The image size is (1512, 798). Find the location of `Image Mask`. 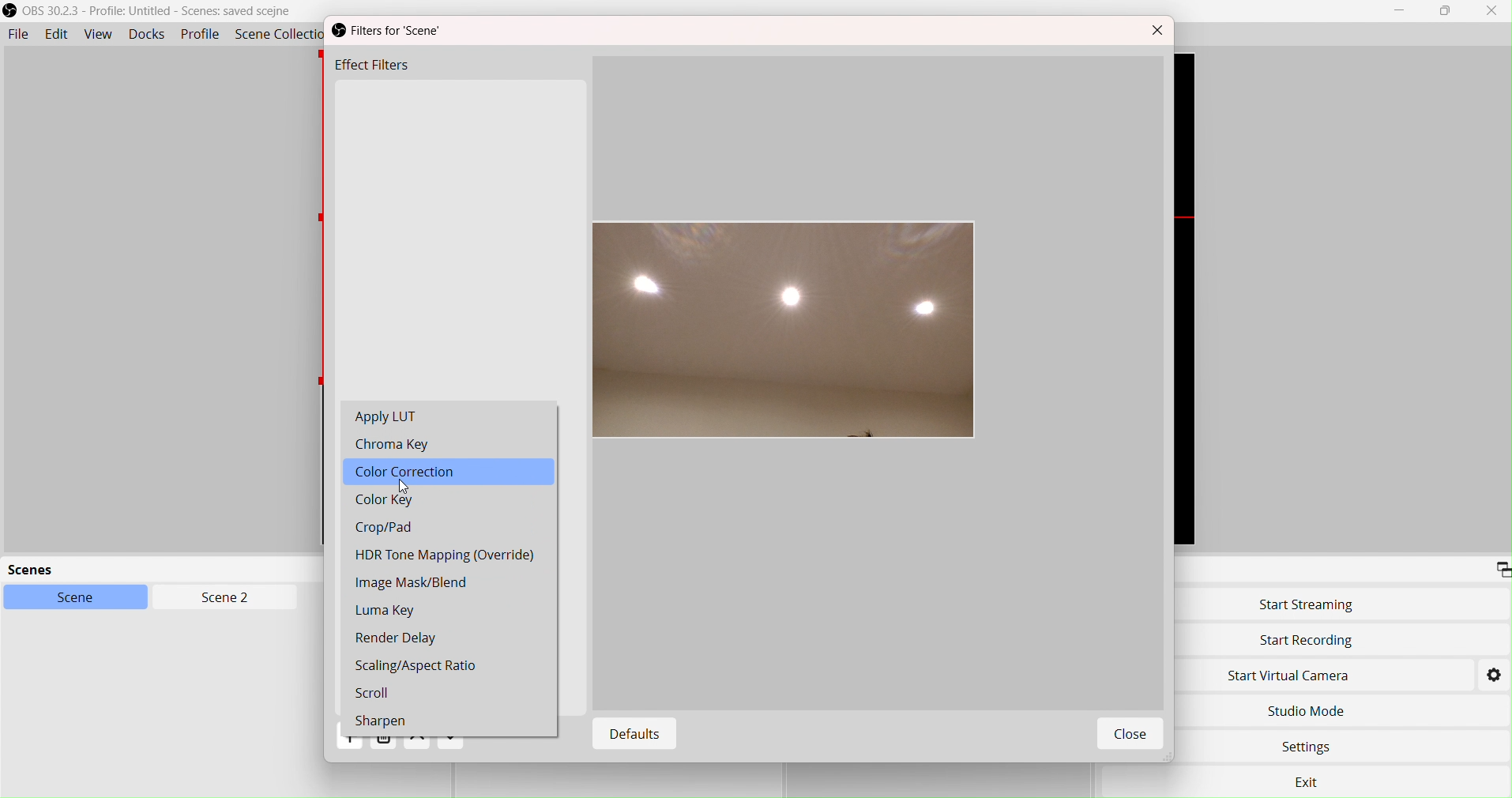

Image Mask is located at coordinates (412, 584).